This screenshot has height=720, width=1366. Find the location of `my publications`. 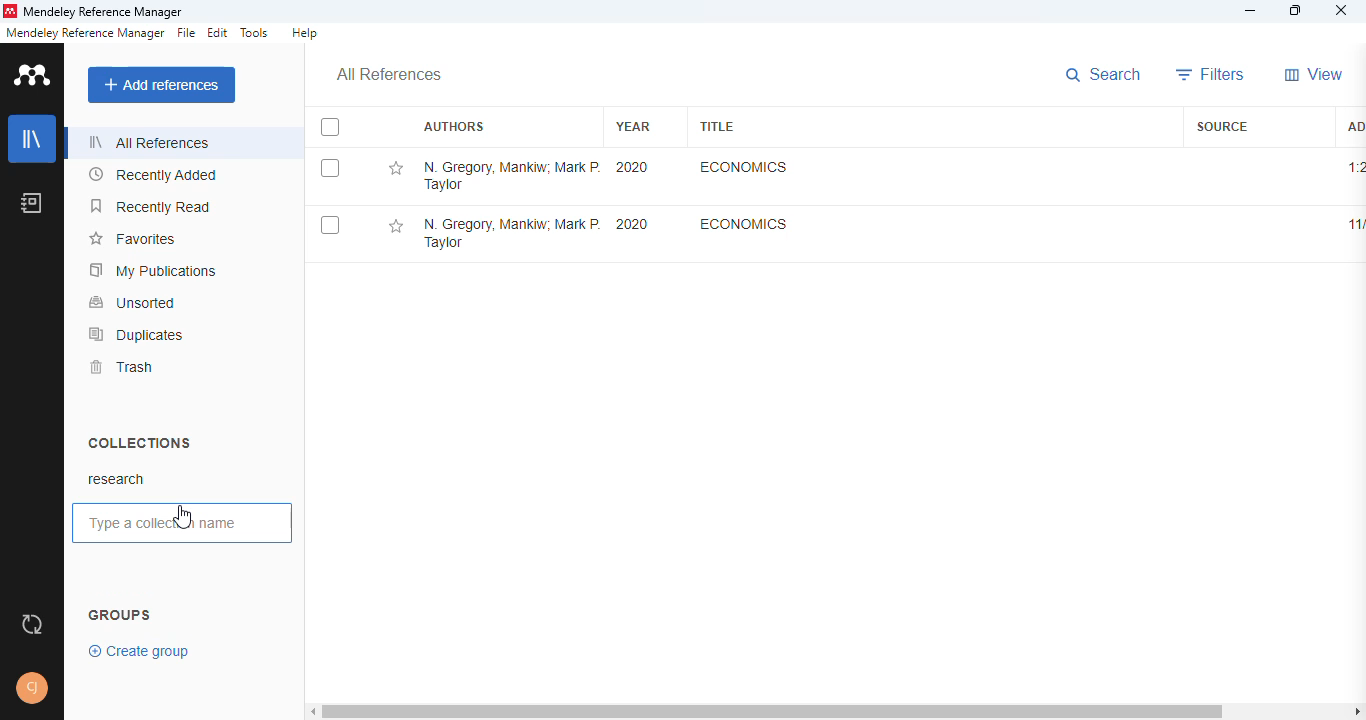

my publications is located at coordinates (154, 270).